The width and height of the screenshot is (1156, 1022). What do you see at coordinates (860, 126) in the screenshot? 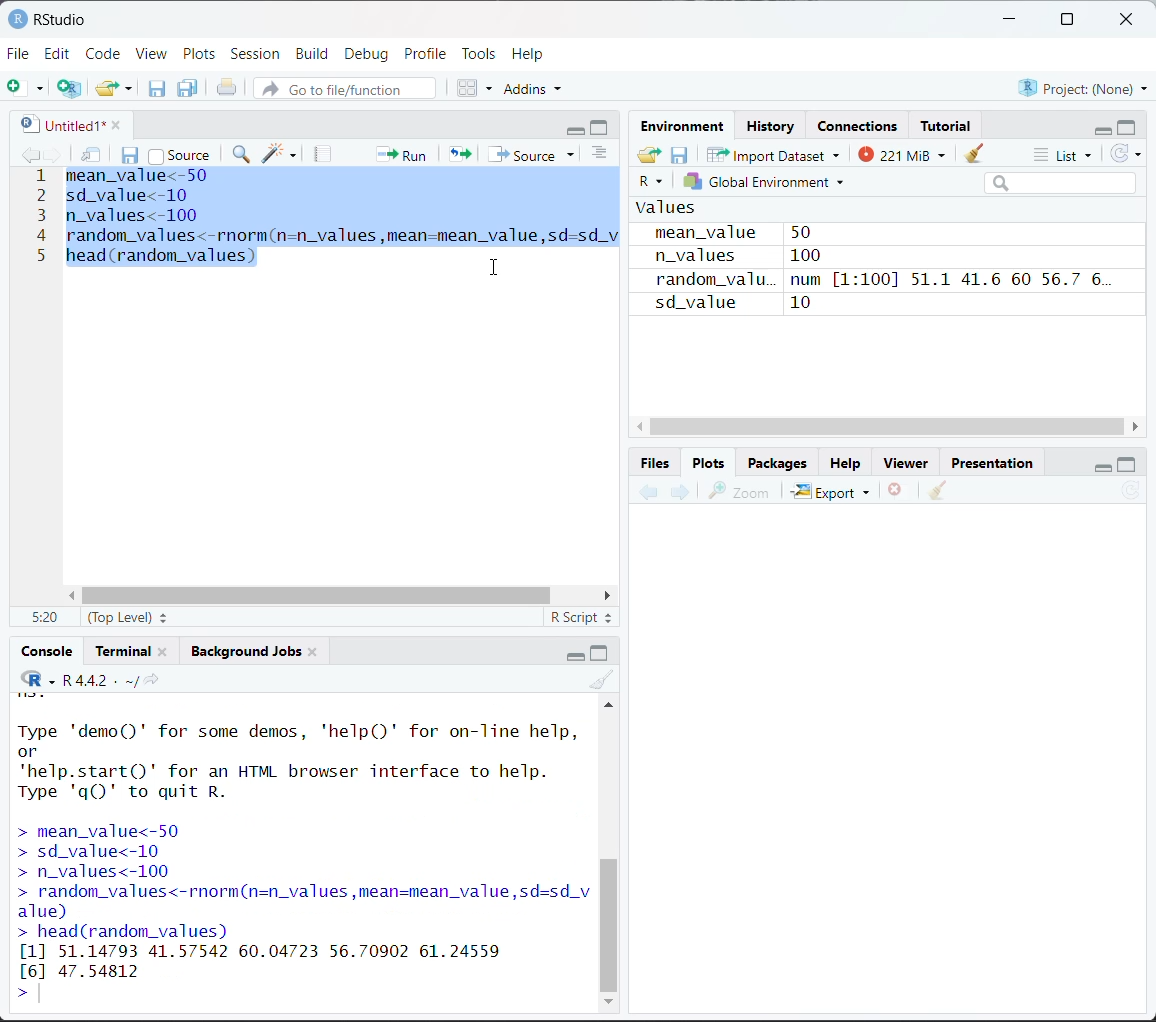
I see `Connections` at bounding box center [860, 126].